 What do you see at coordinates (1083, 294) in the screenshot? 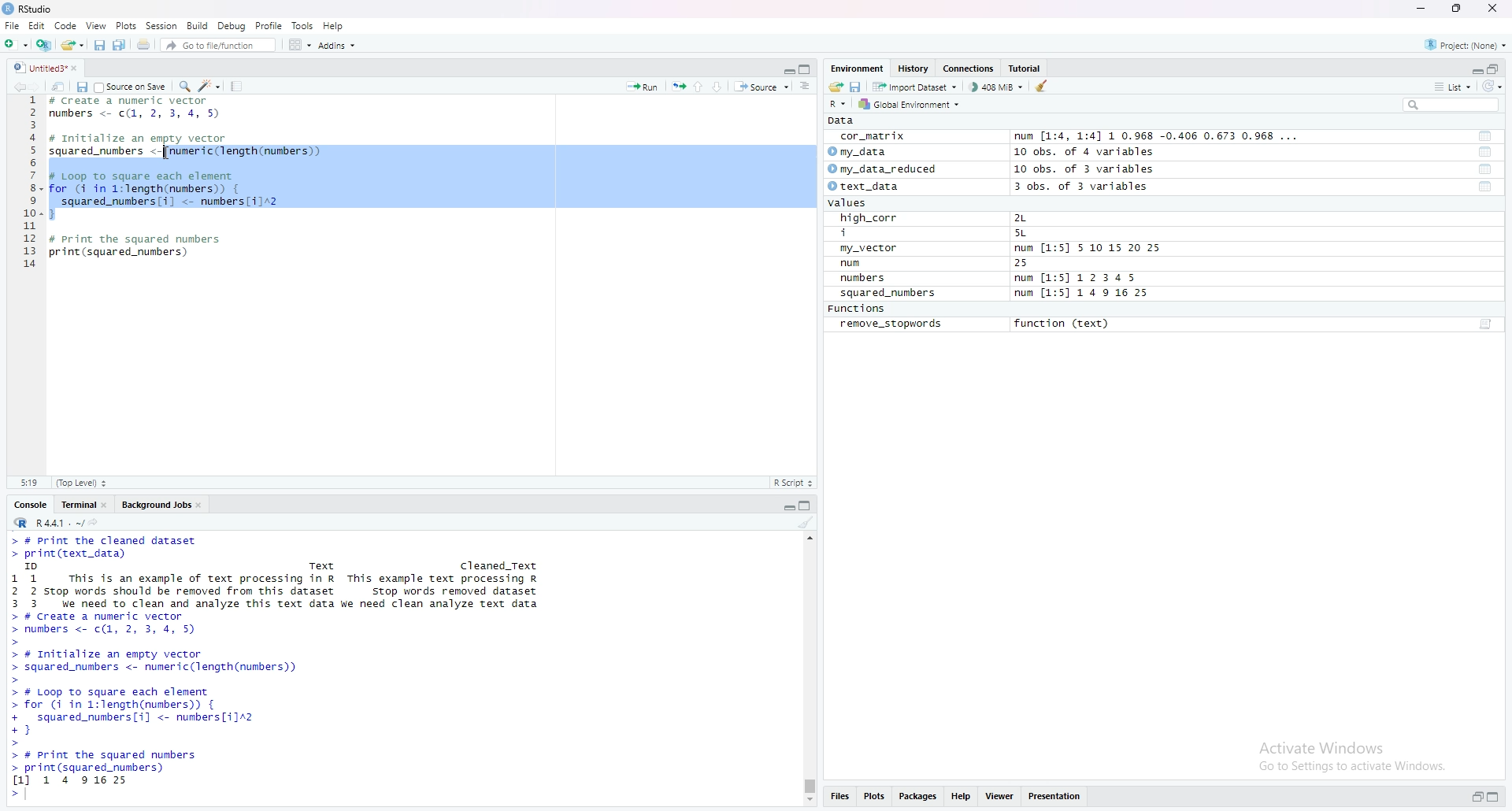
I see `num [1:5] 1 4 9 16 25` at bounding box center [1083, 294].